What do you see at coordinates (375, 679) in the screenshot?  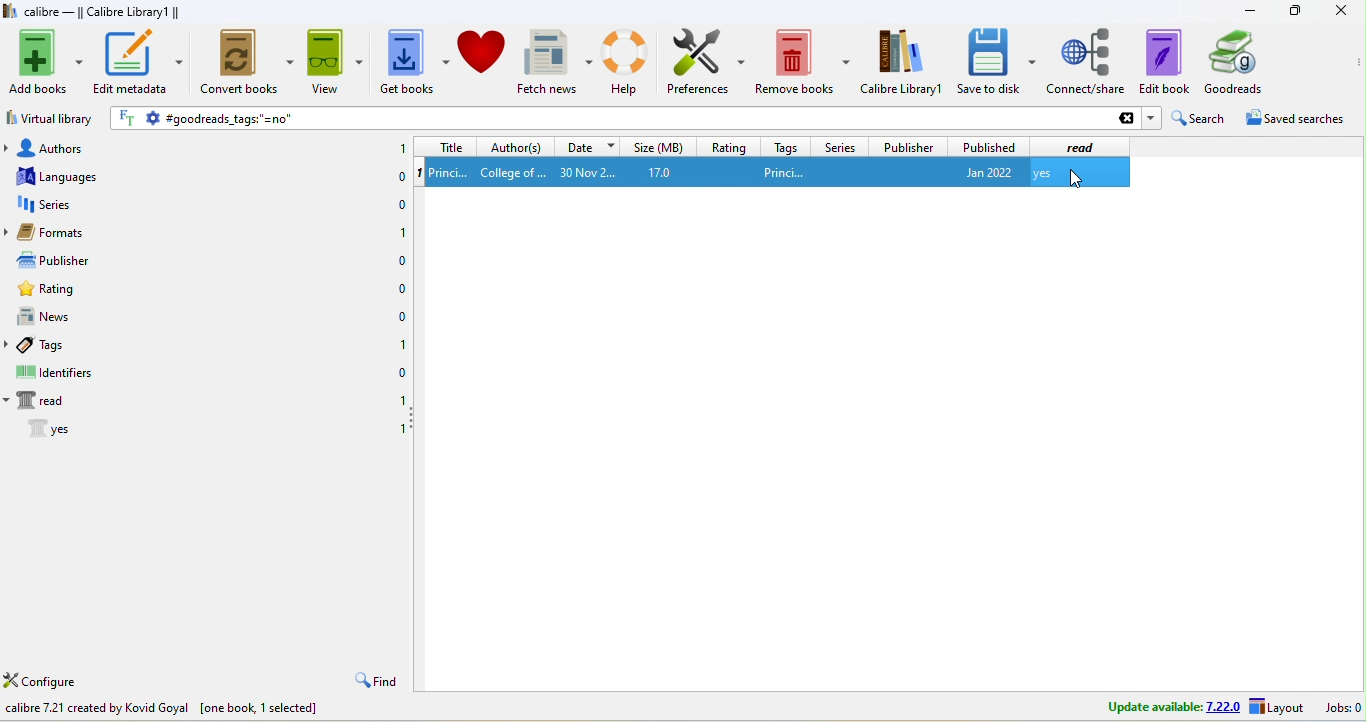 I see `find` at bounding box center [375, 679].